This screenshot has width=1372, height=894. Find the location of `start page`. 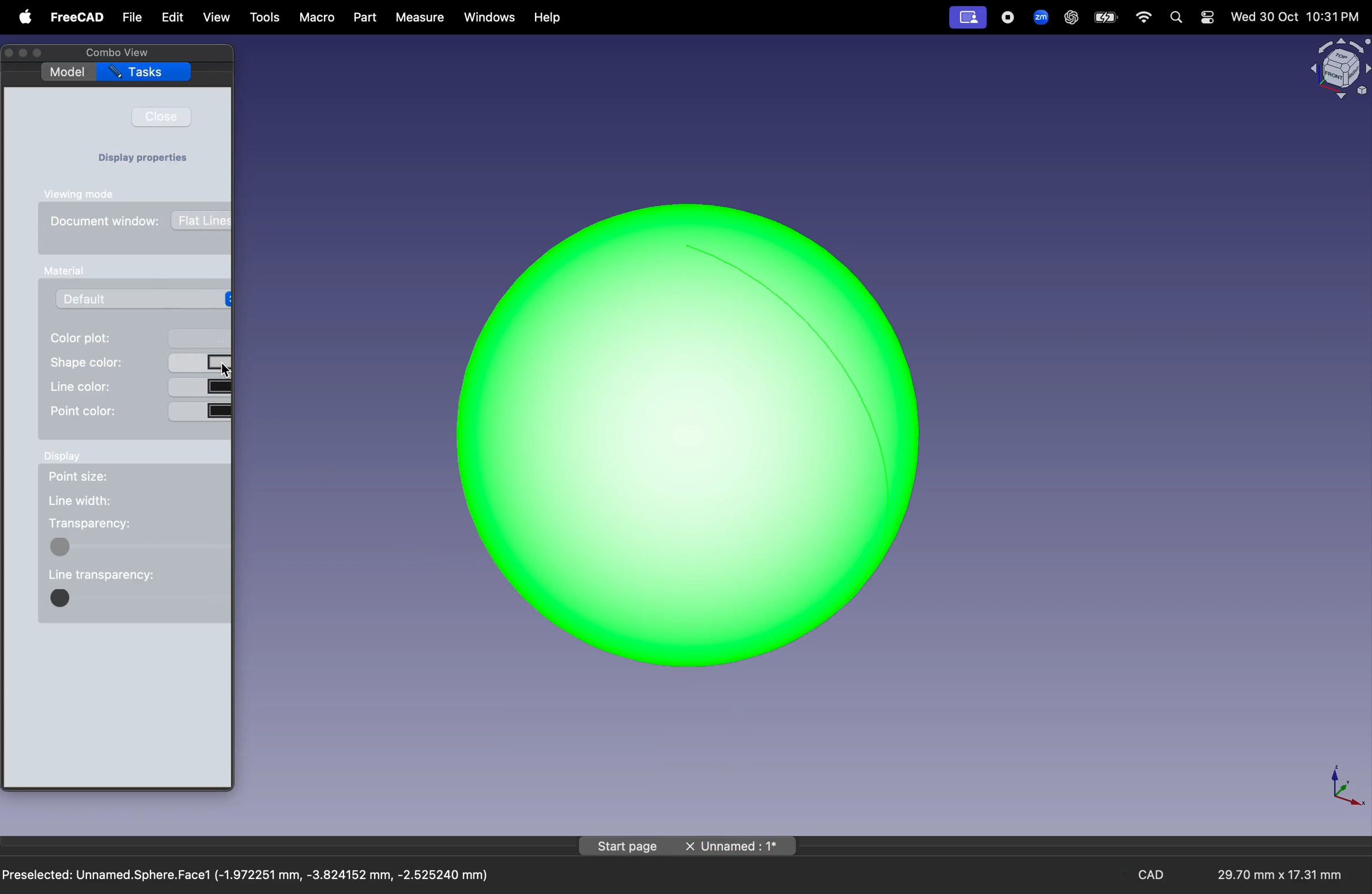

start page is located at coordinates (628, 846).